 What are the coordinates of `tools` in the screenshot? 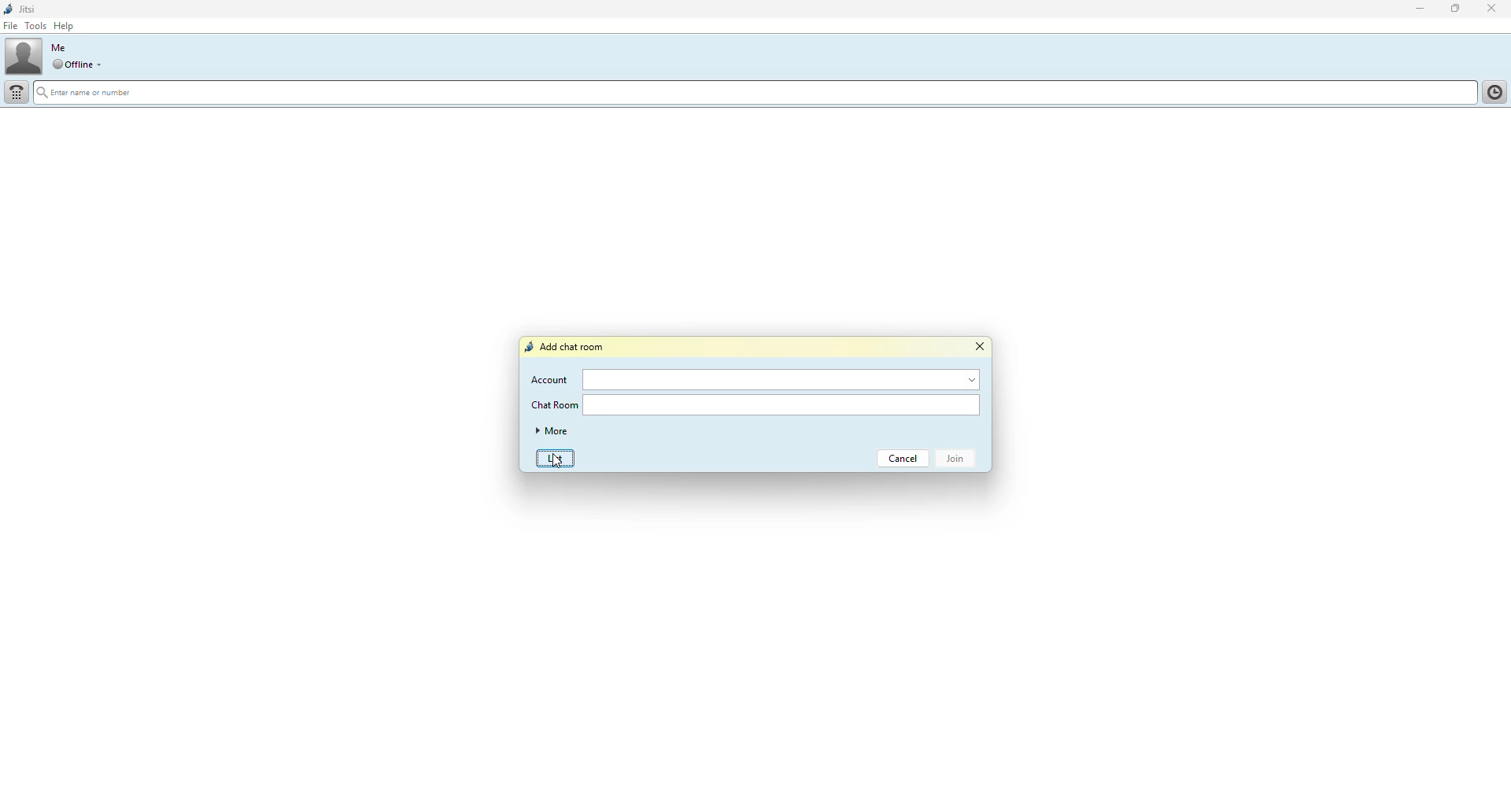 It's located at (36, 25).